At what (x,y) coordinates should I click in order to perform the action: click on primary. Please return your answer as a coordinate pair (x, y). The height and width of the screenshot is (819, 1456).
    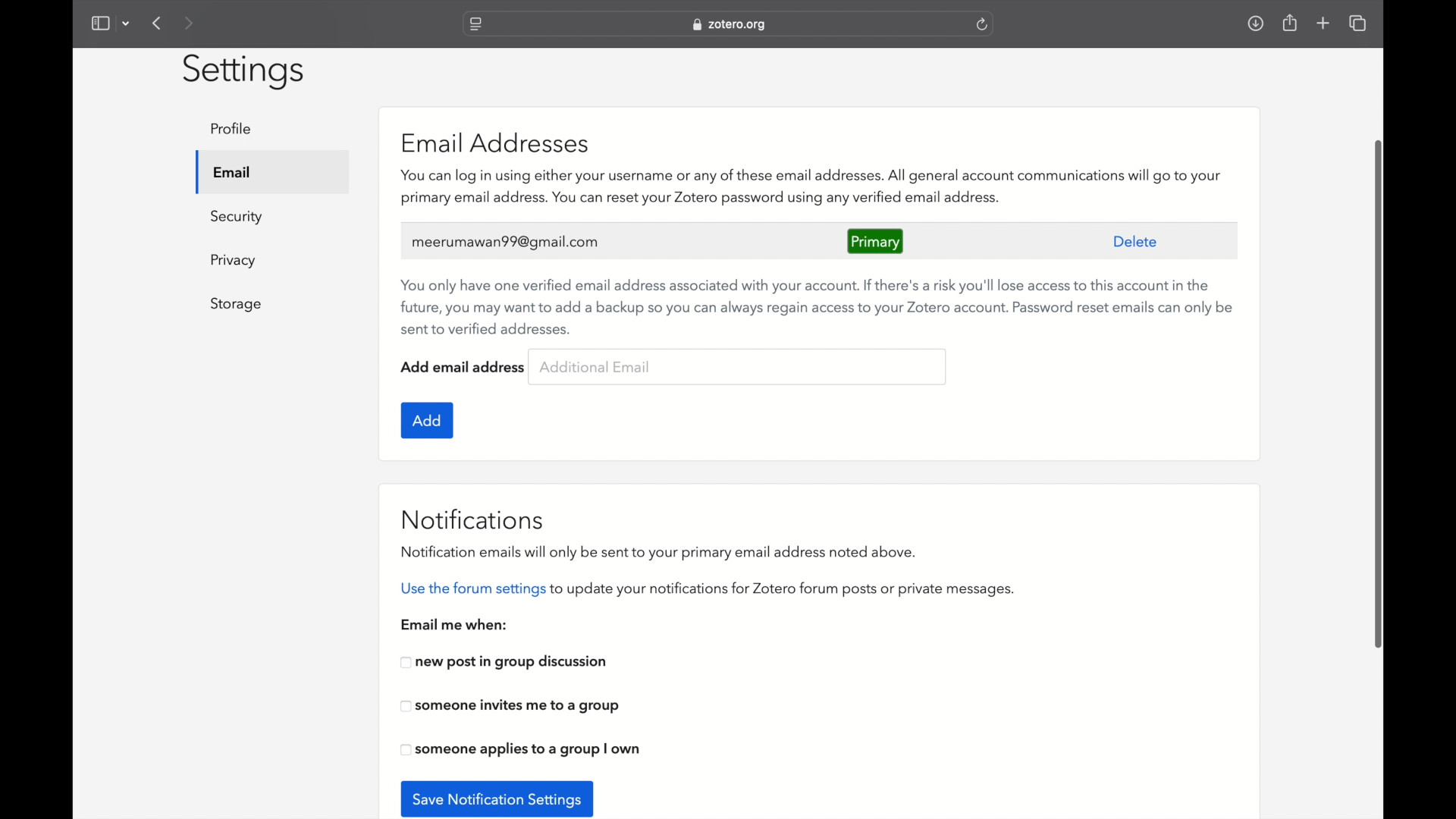
    Looking at the image, I should click on (877, 240).